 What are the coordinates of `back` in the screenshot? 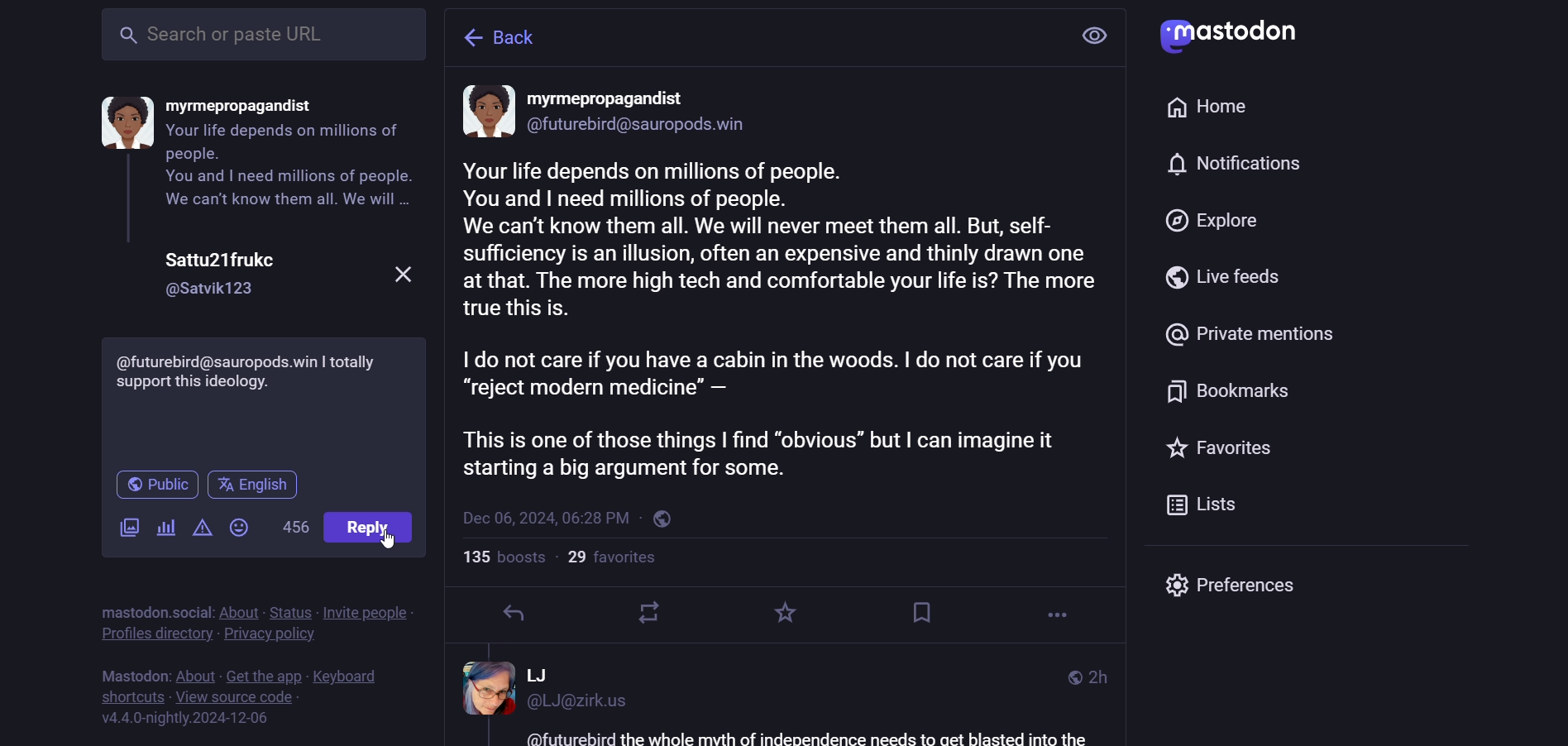 It's located at (506, 36).